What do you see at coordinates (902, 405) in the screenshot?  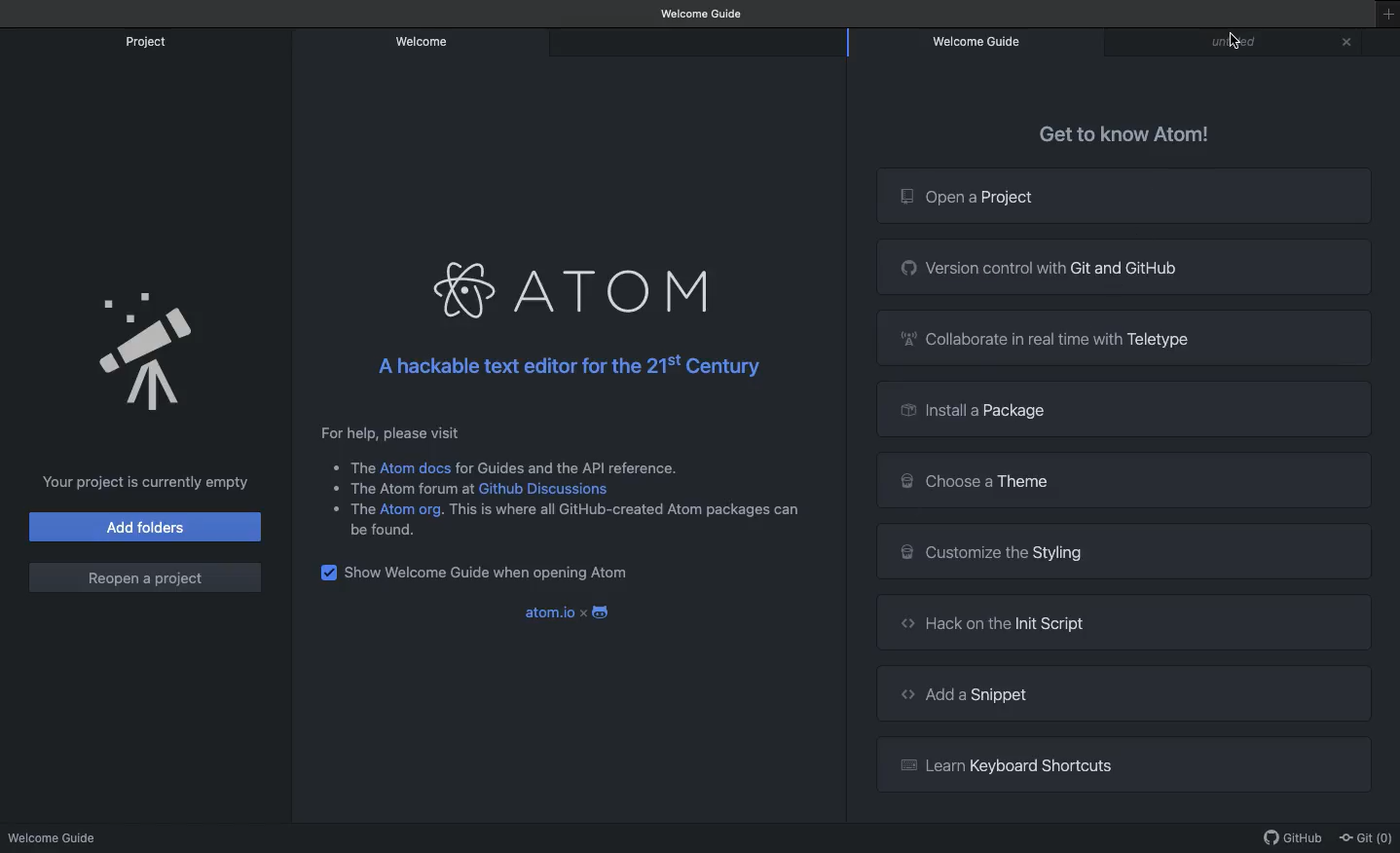 I see `packge logo` at bounding box center [902, 405].